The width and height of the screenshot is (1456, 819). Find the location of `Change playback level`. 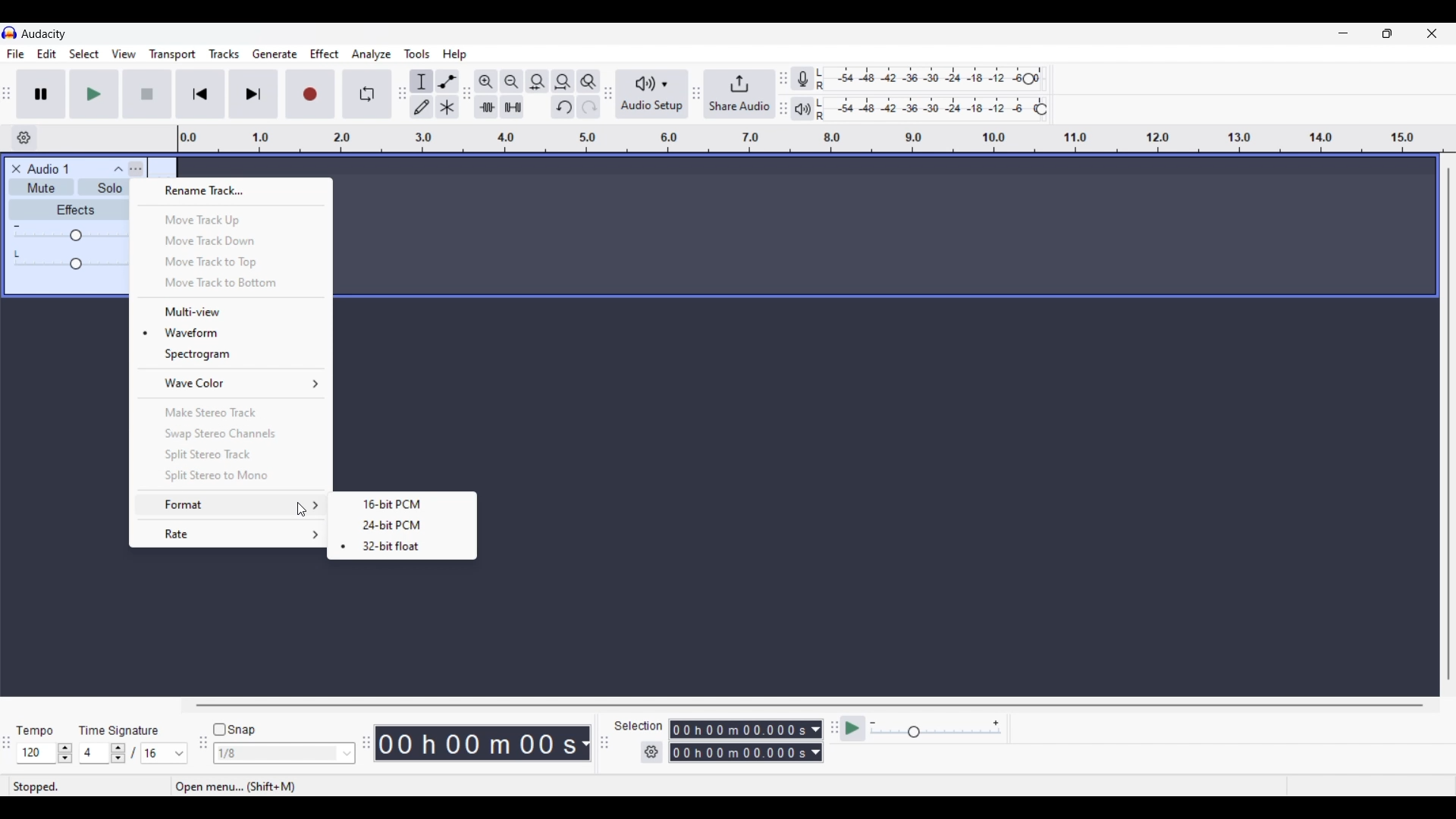

Change playback level is located at coordinates (1041, 110).